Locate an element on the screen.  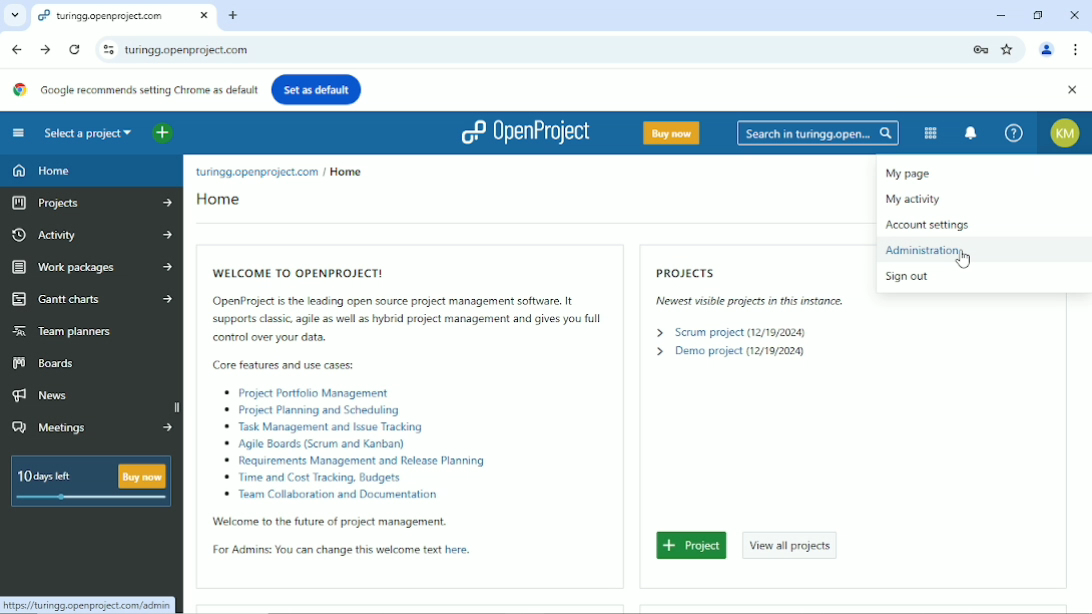
Activity is located at coordinates (91, 233).